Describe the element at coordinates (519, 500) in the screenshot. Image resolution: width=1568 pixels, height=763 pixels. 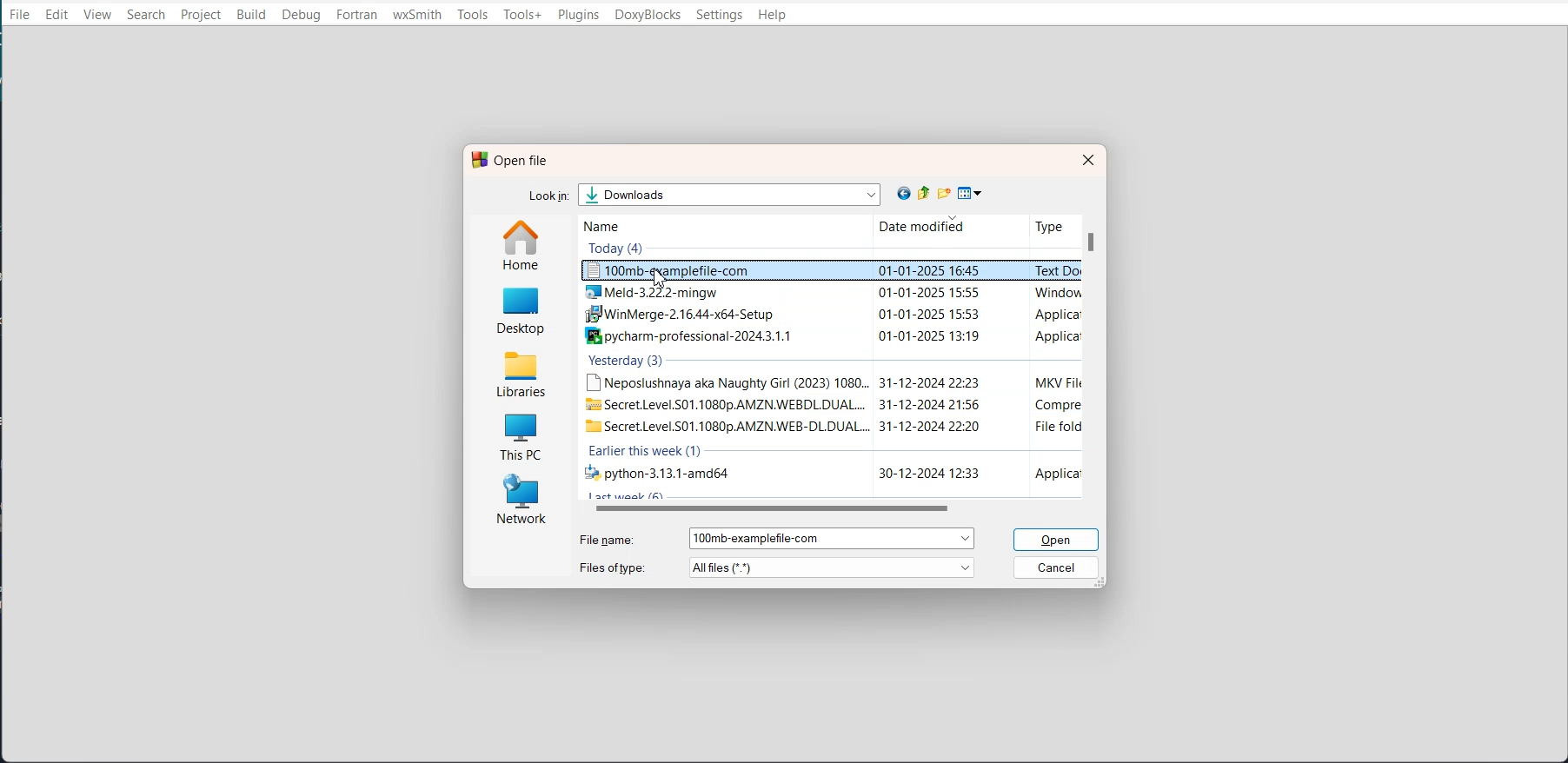
I see `Network` at that location.